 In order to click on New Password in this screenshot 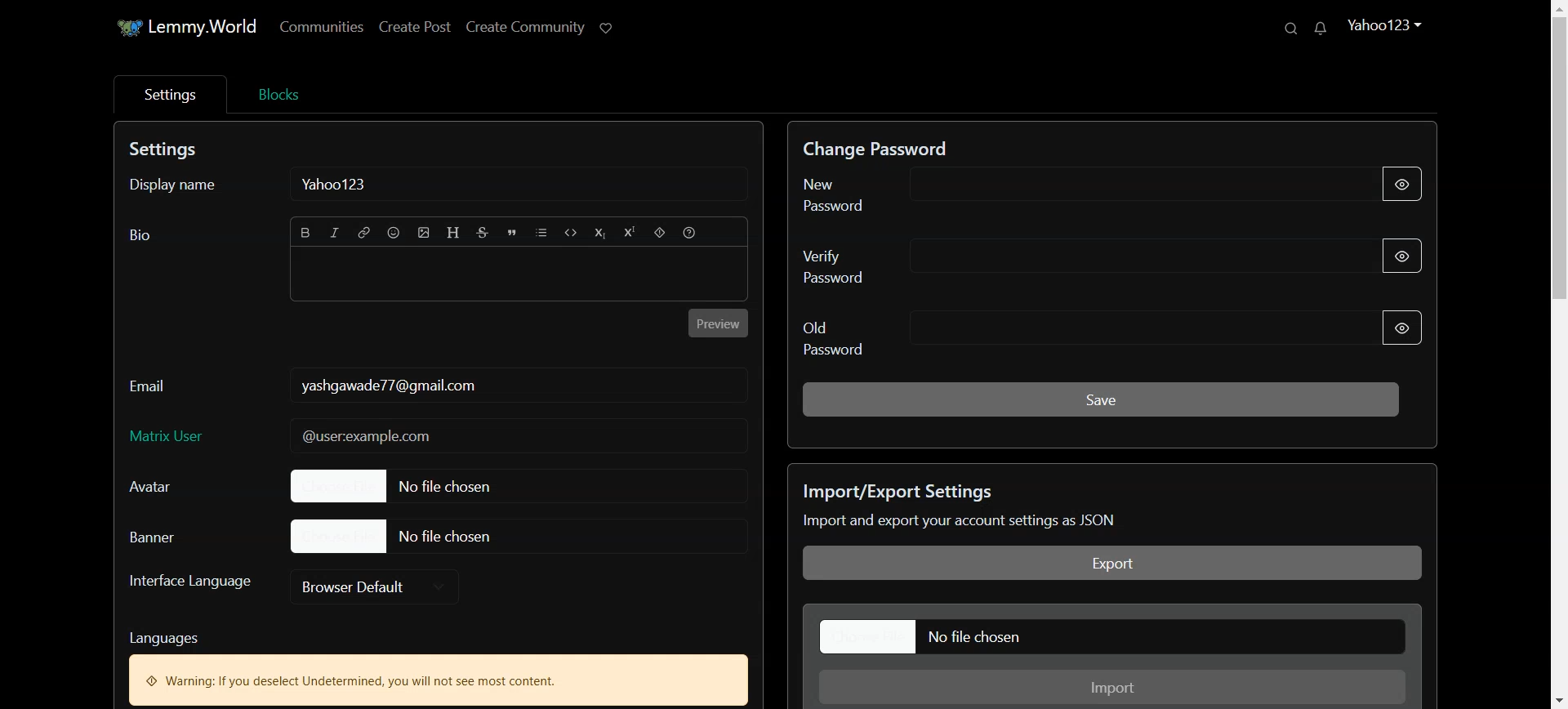, I will do `click(1049, 190)`.